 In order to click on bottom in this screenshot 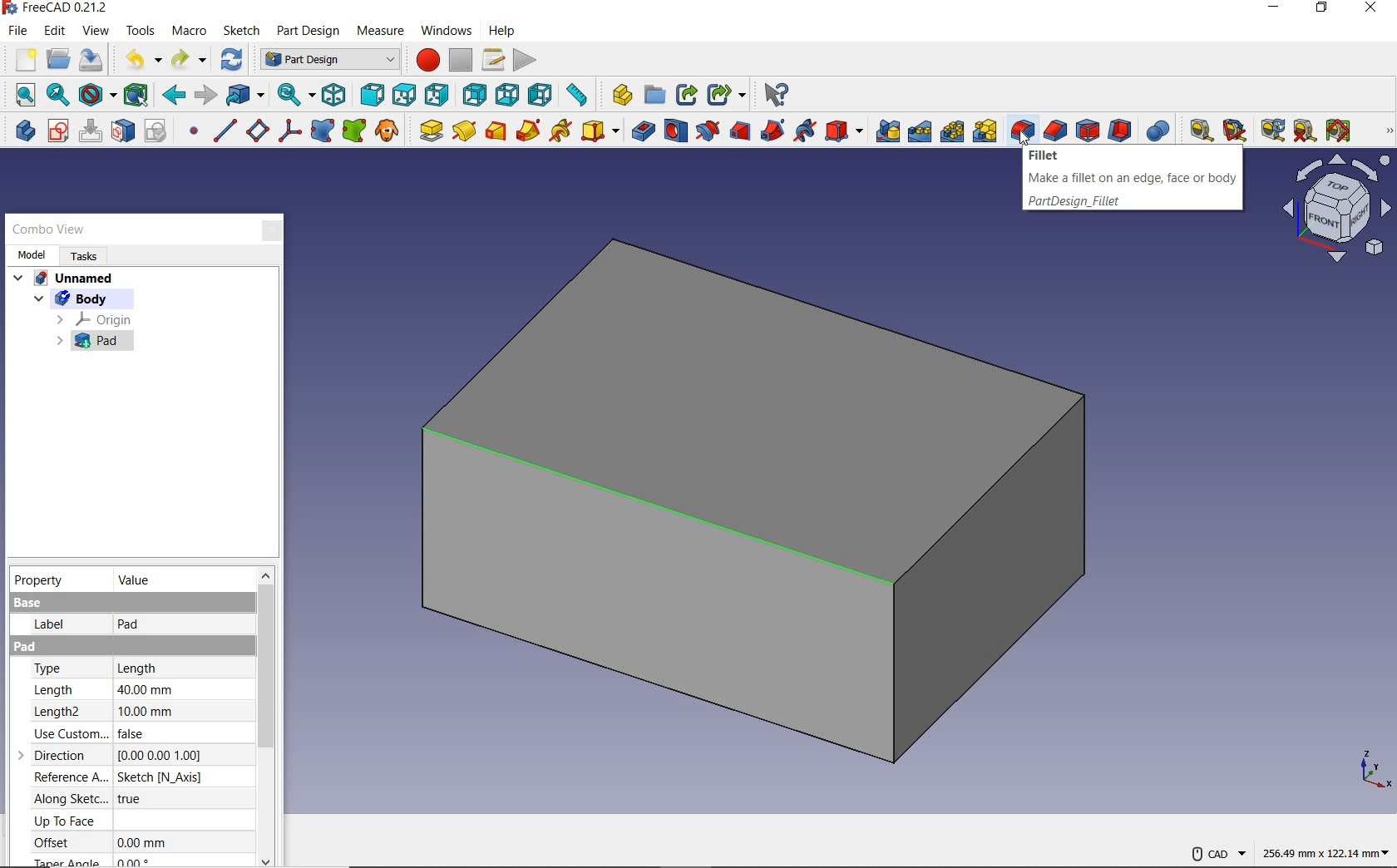, I will do `click(506, 95)`.